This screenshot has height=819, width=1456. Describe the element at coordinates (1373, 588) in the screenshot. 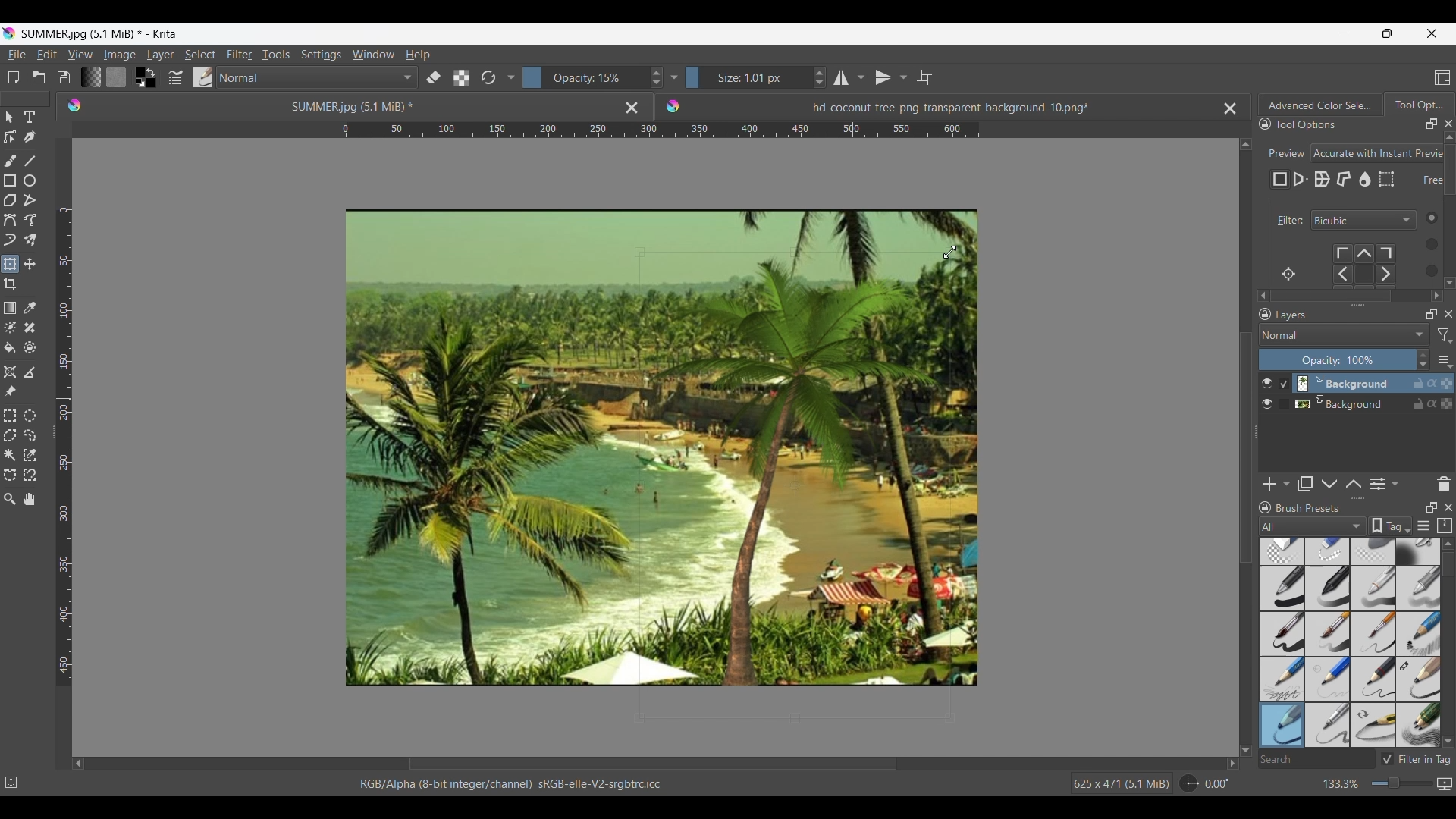

I see `basic 3-flow` at that location.